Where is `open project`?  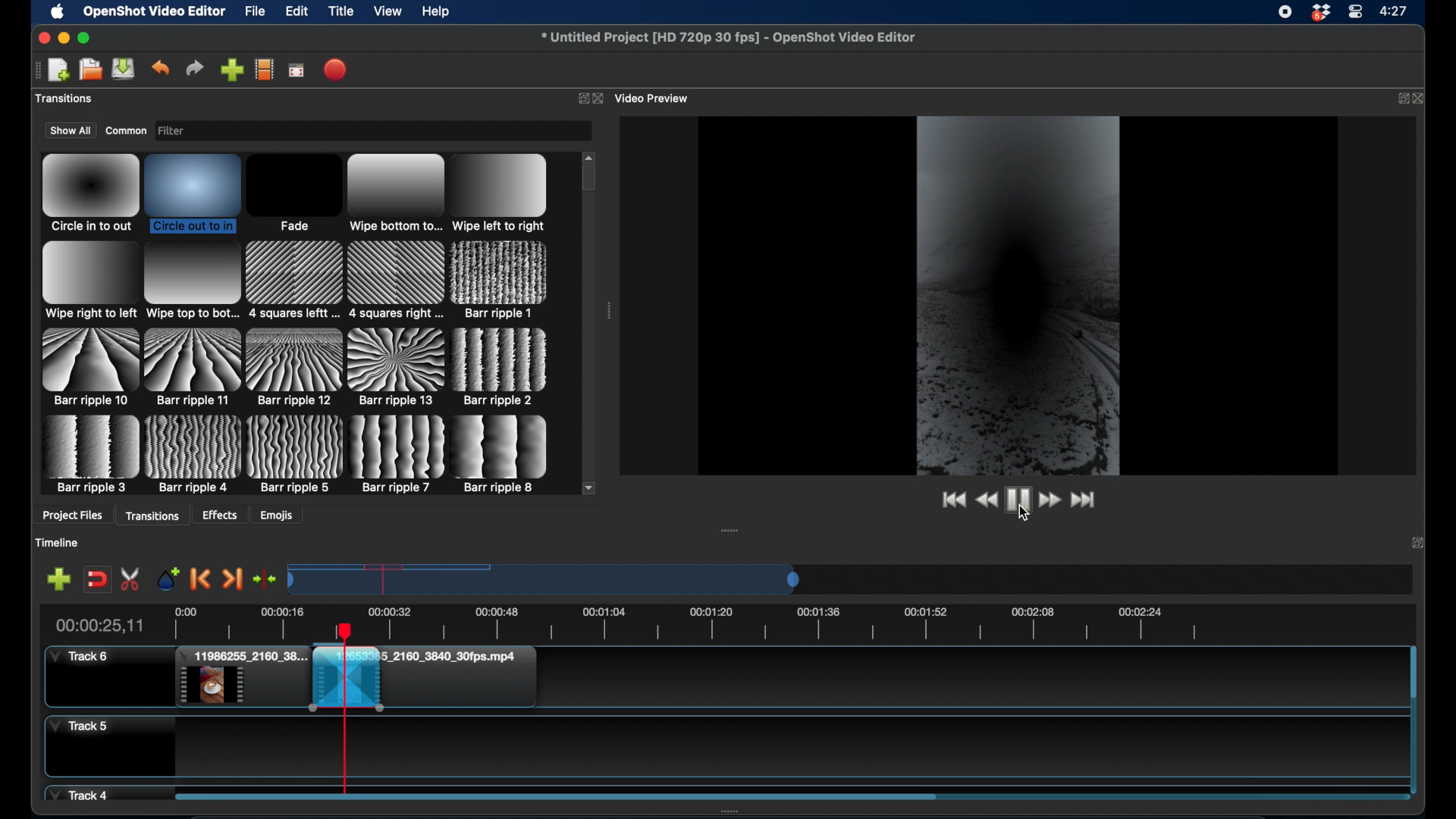
open project is located at coordinates (58, 71).